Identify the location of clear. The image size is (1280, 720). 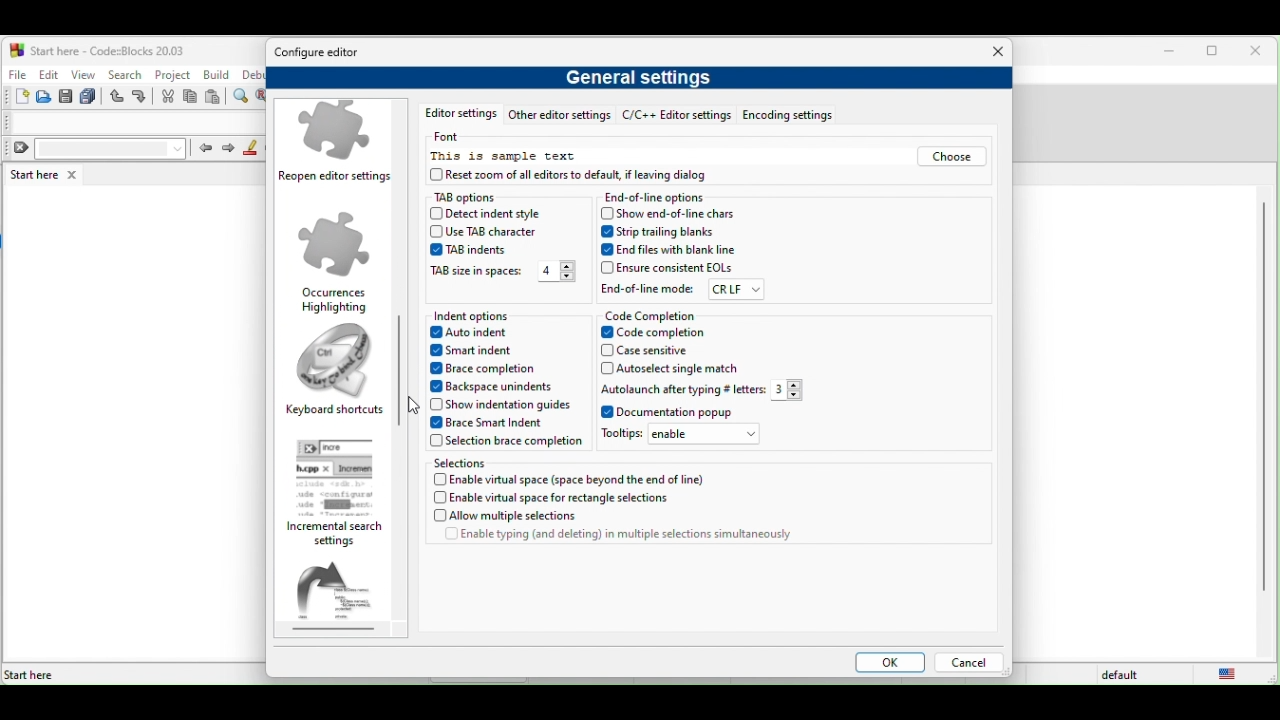
(96, 149).